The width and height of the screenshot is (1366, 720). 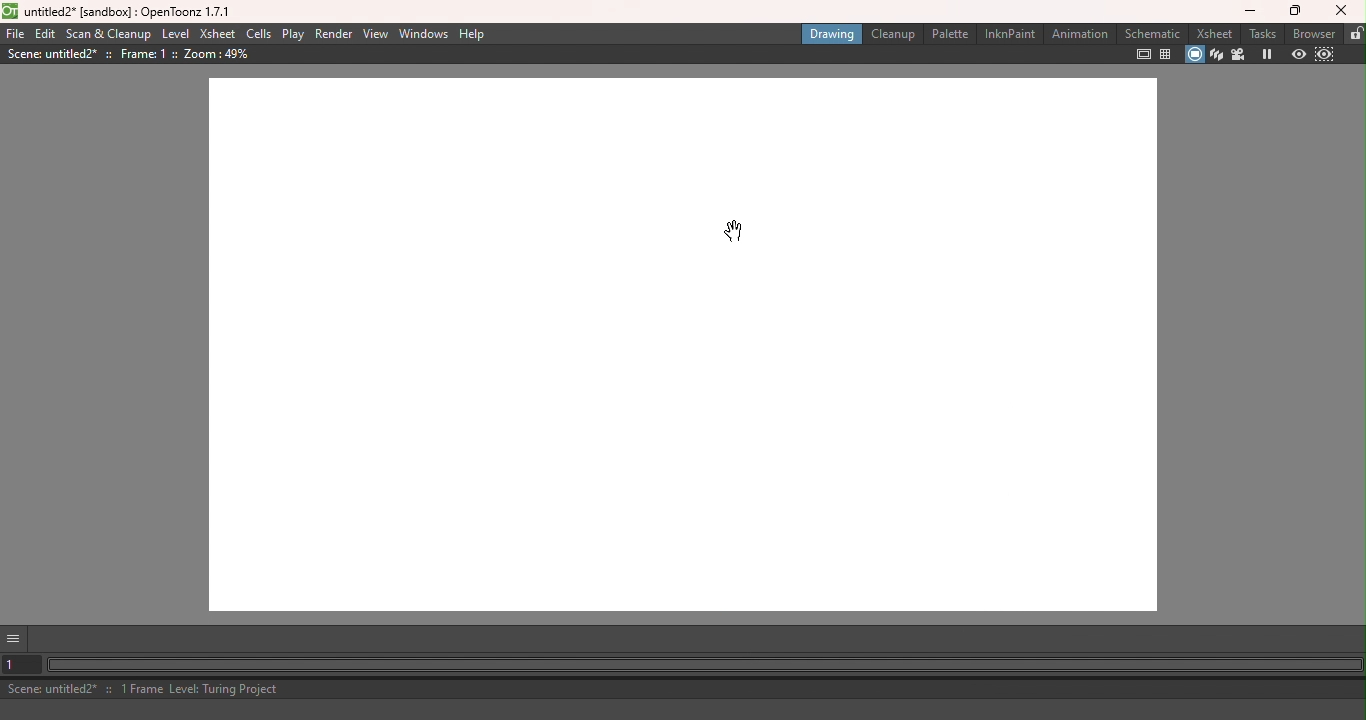 I want to click on File name, so click(x=116, y=11).